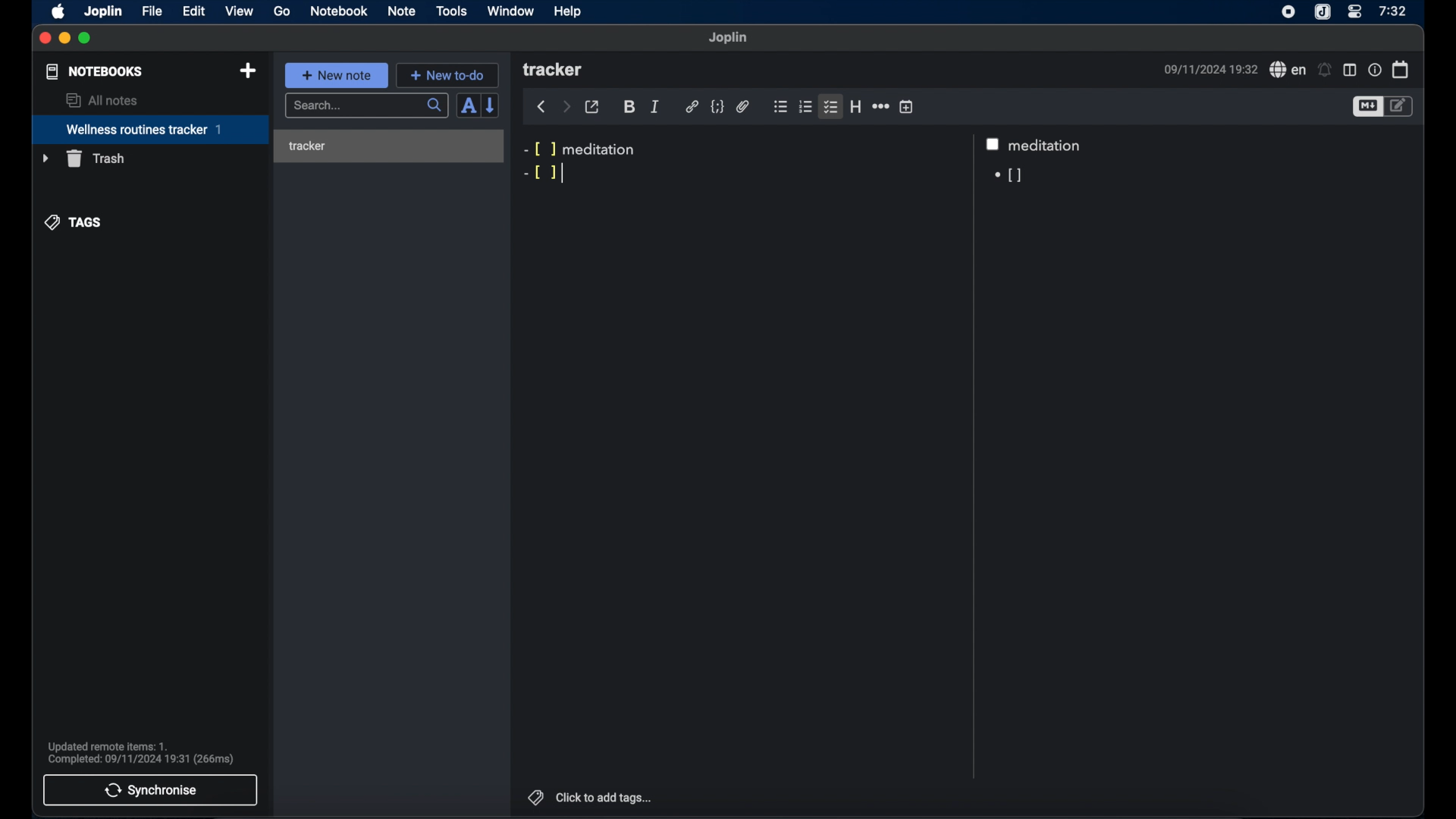 The width and height of the screenshot is (1456, 819). What do you see at coordinates (151, 790) in the screenshot?
I see `synchronise` at bounding box center [151, 790].